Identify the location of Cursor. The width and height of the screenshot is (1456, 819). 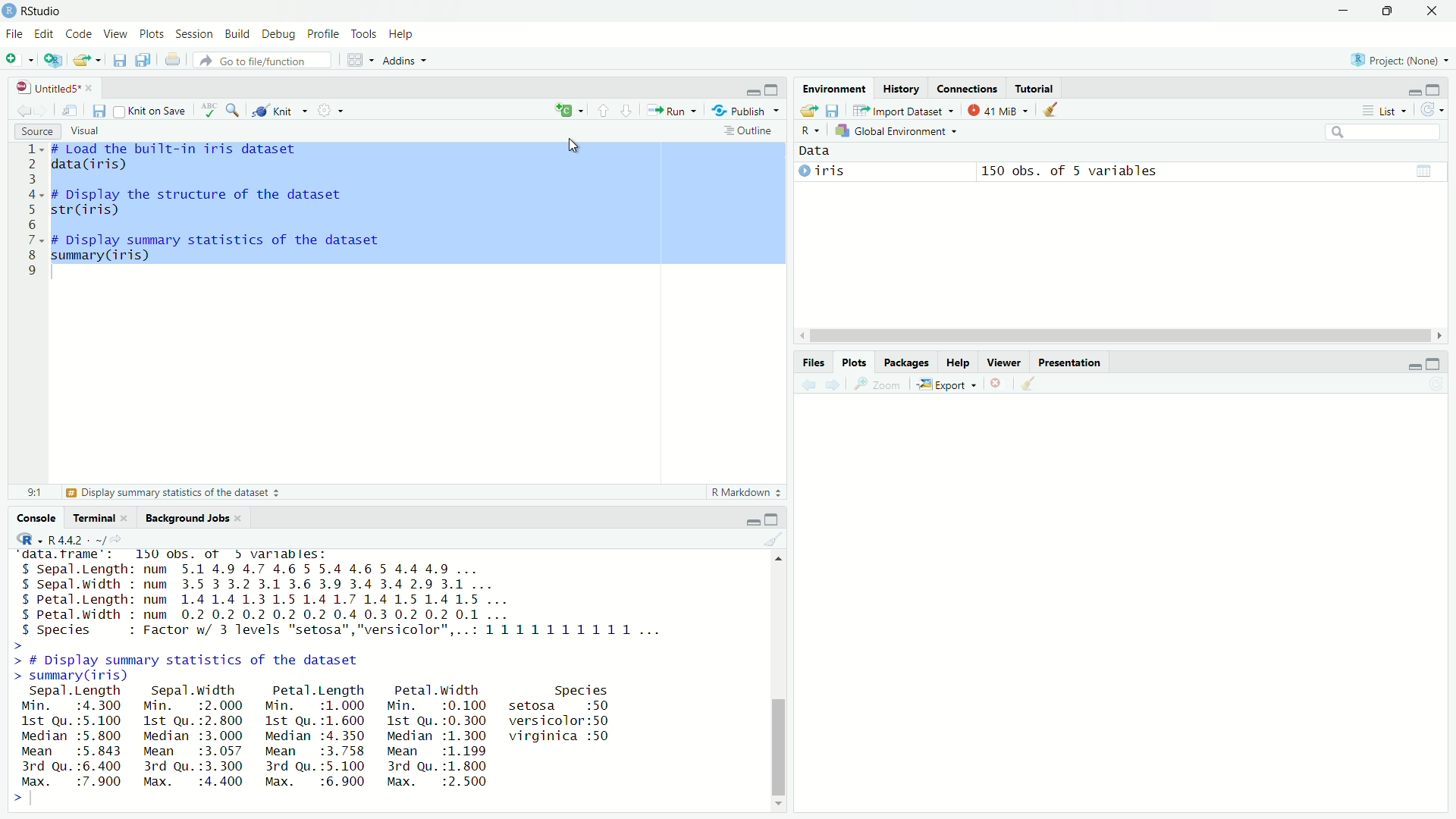
(574, 147).